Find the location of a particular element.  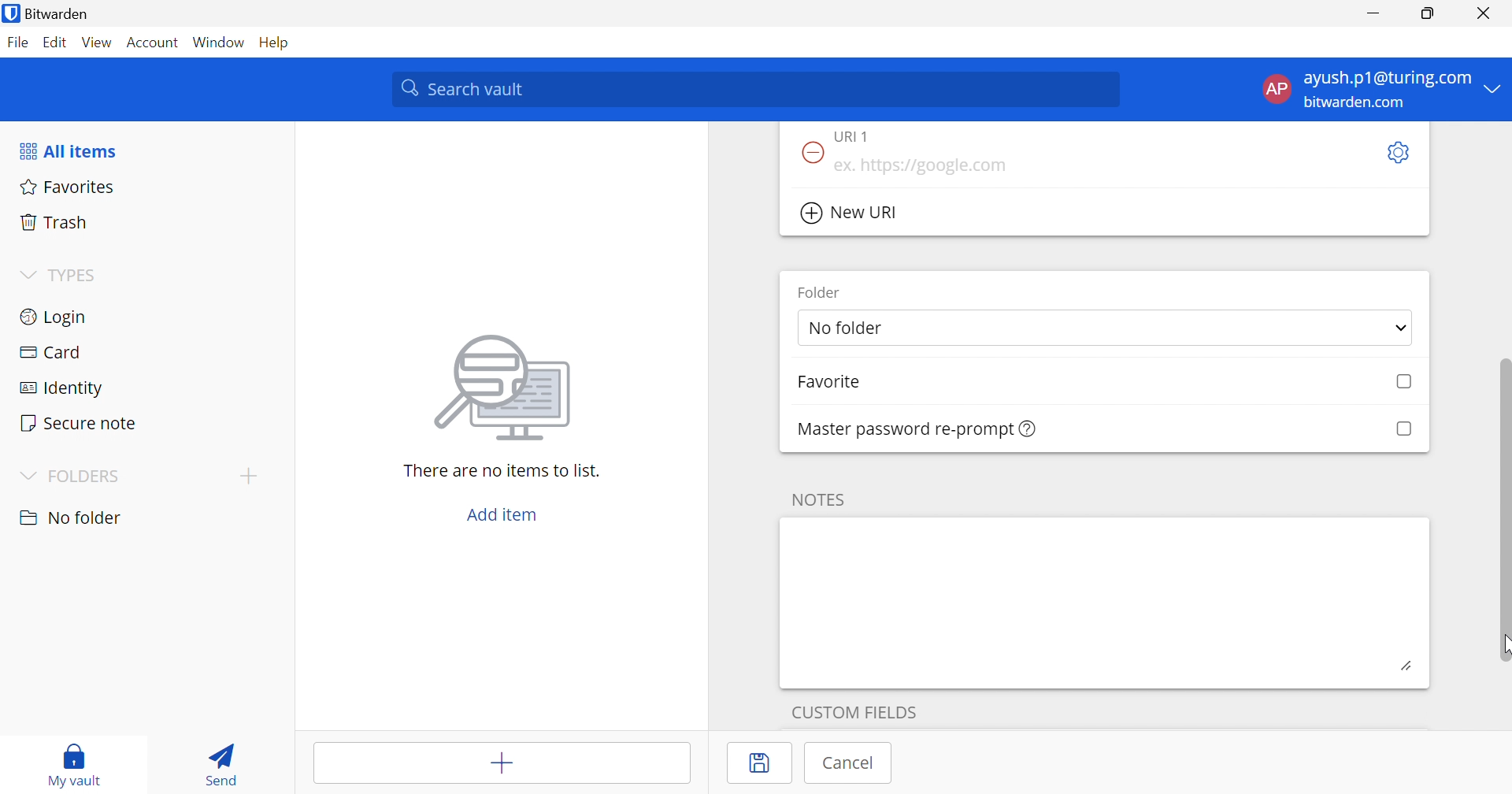

FOLDERS is located at coordinates (87, 477).